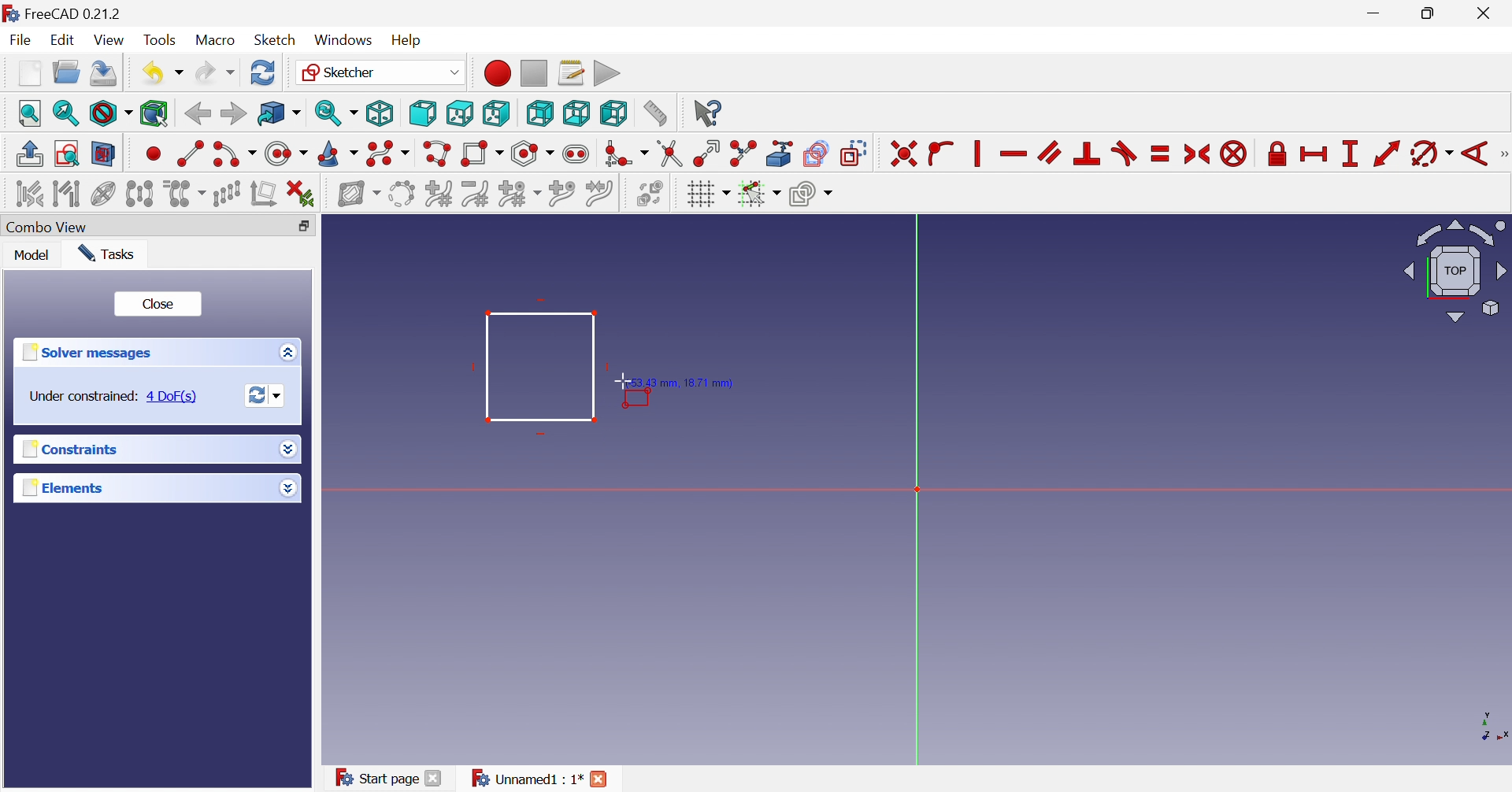 This screenshot has height=792, width=1512. I want to click on Constrain equal, so click(1161, 154).